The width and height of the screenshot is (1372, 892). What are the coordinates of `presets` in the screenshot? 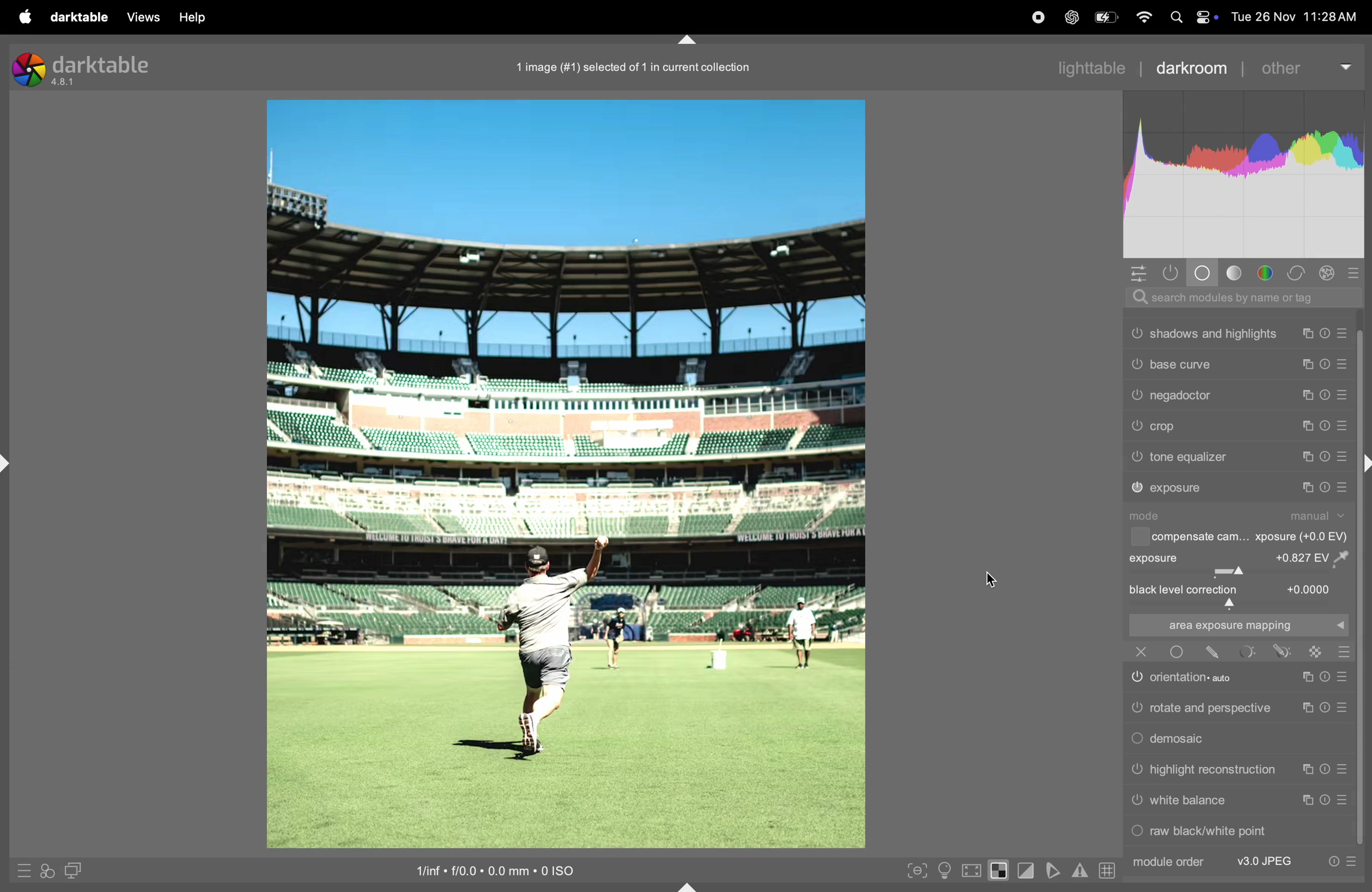 It's located at (1356, 272).